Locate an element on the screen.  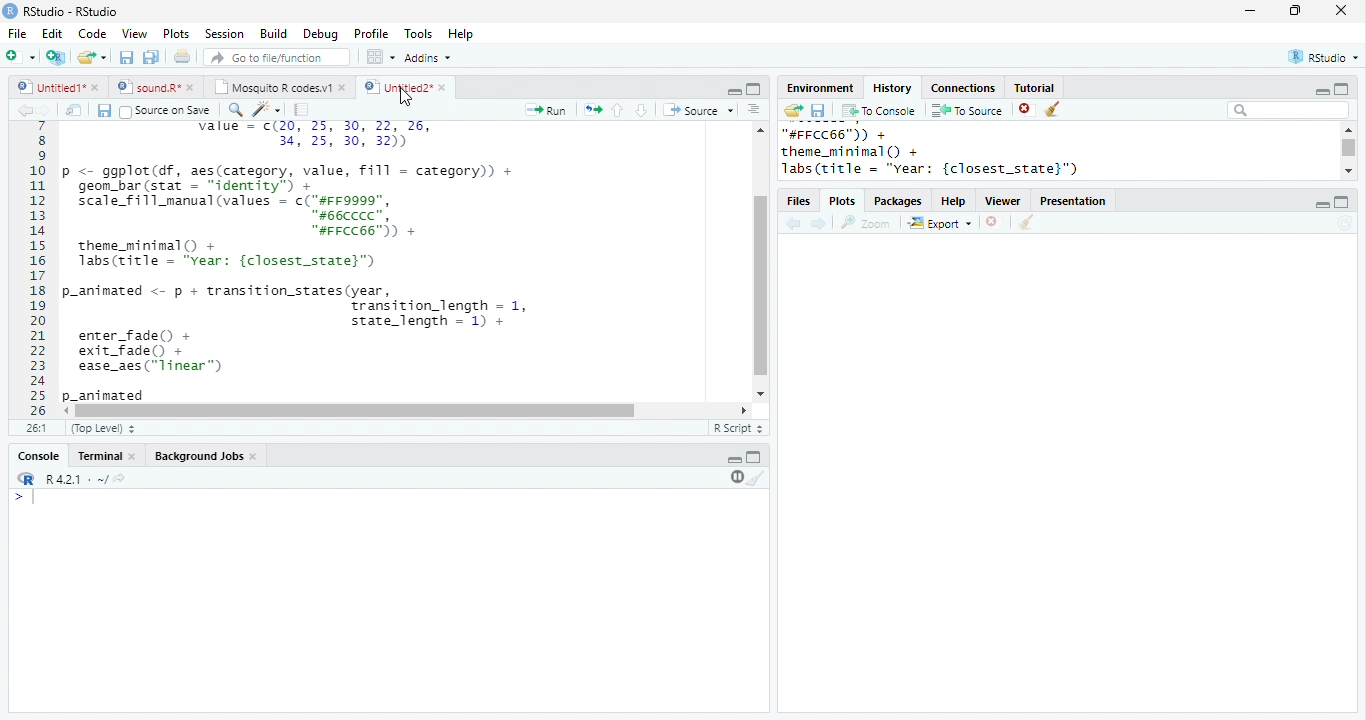
scroll bar is located at coordinates (759, 286).